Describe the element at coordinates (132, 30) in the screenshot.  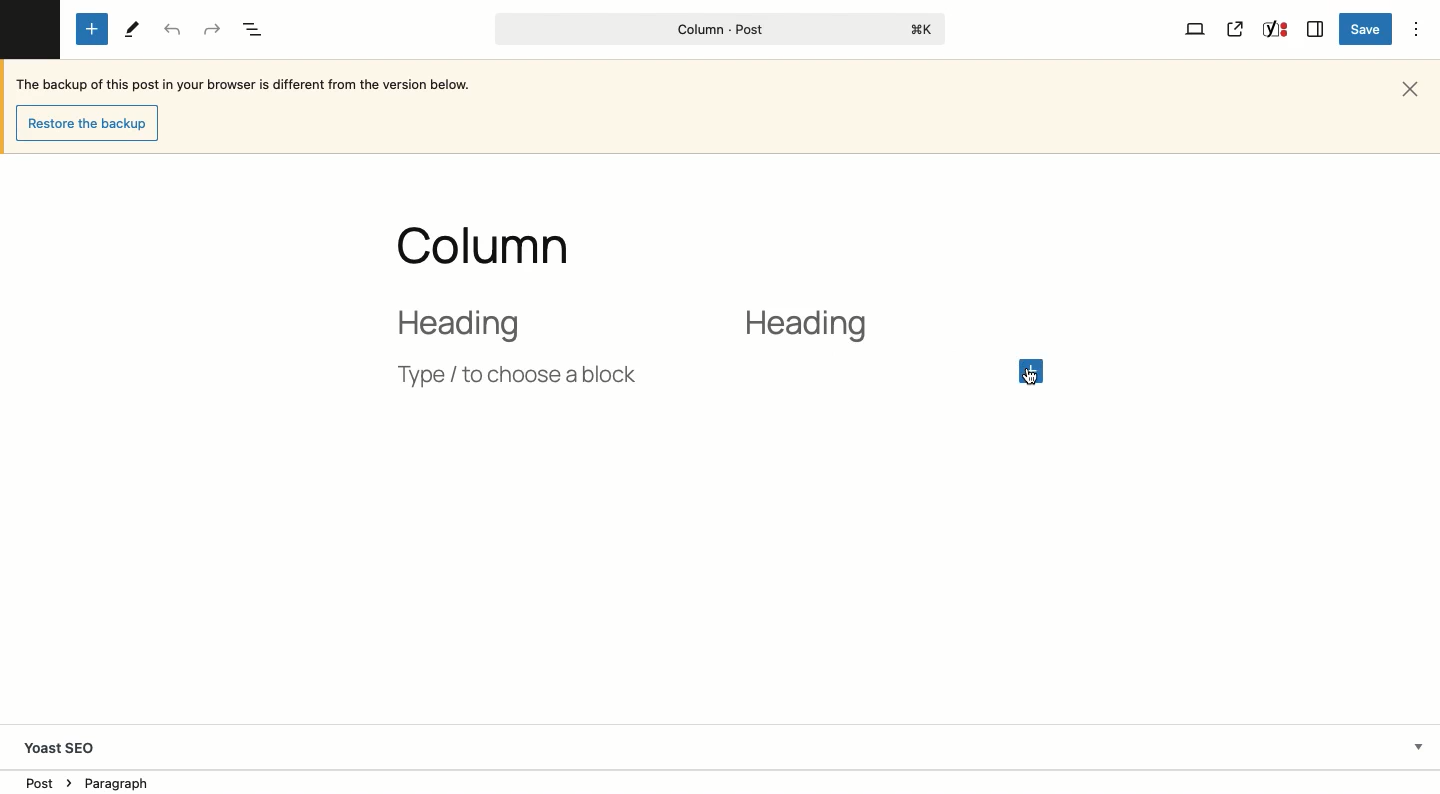
I see `Tools` at that location.